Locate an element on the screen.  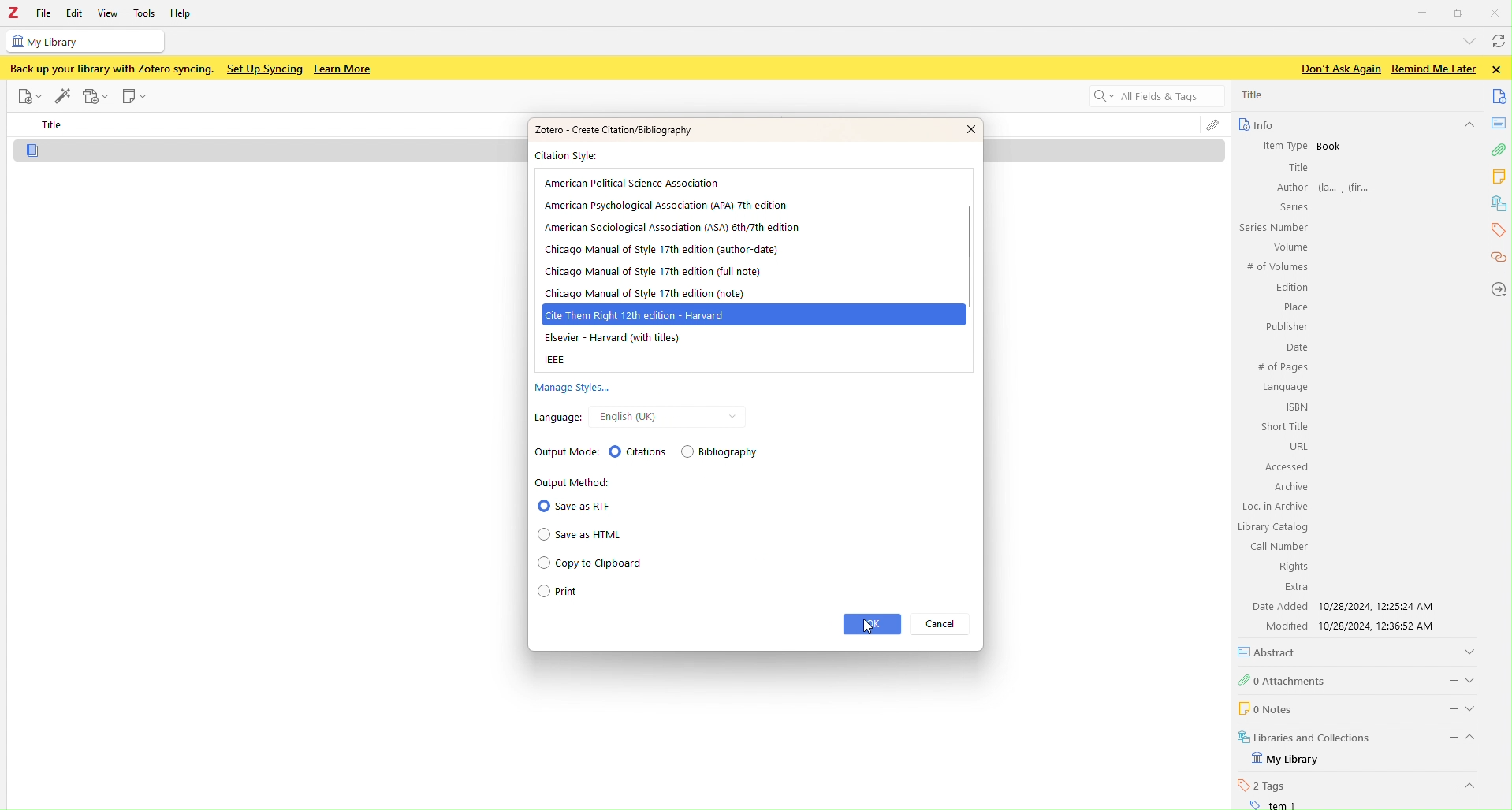
10/28/2024, 12:36:52 AM is located at coordinates (1383, 626).